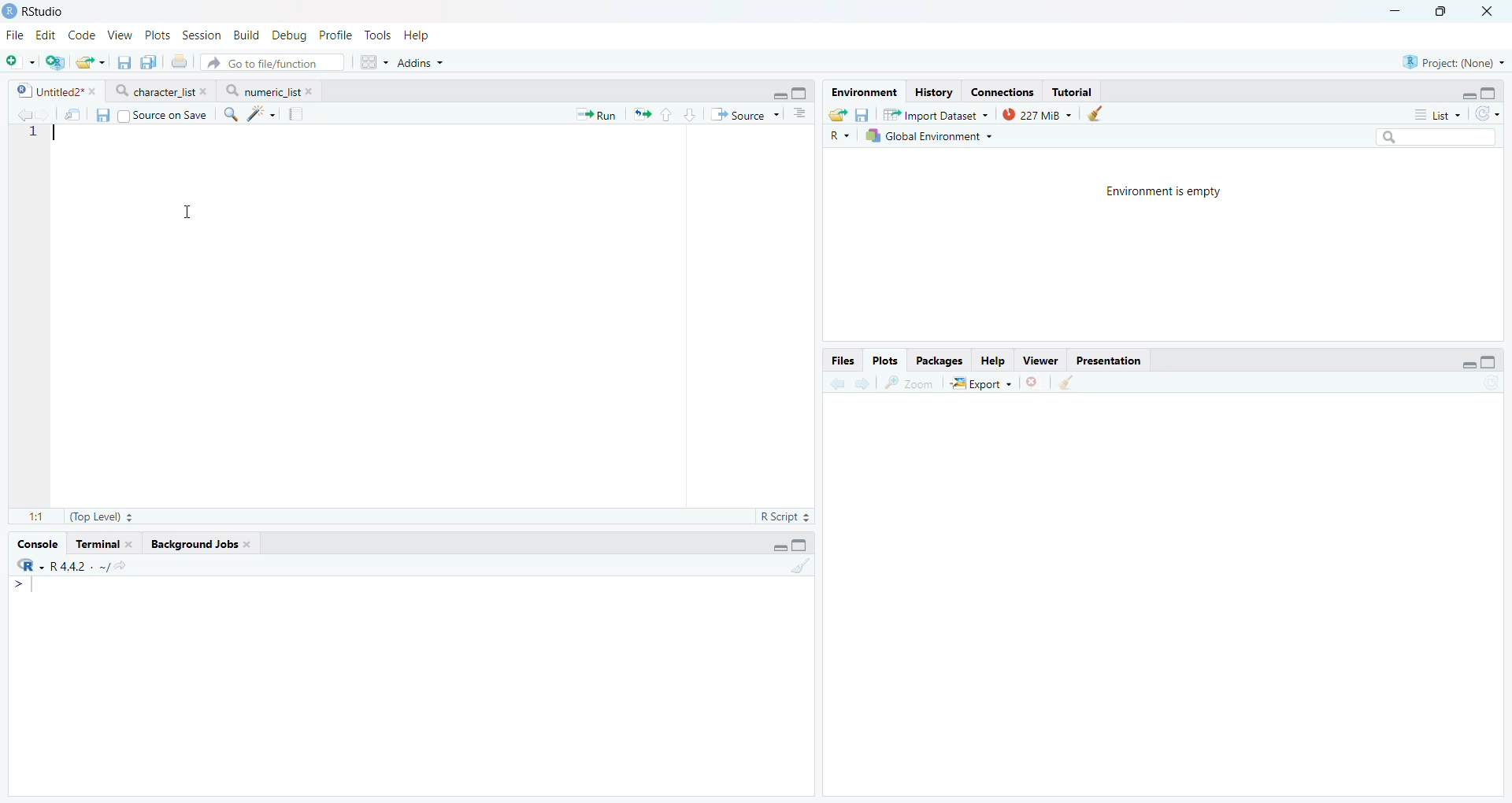 This screenshot has width=1512, height=803. What do you see at coordinates (202, 542) in the screenshot?
I see `Background Jobs` at bounding box center [202, 542].